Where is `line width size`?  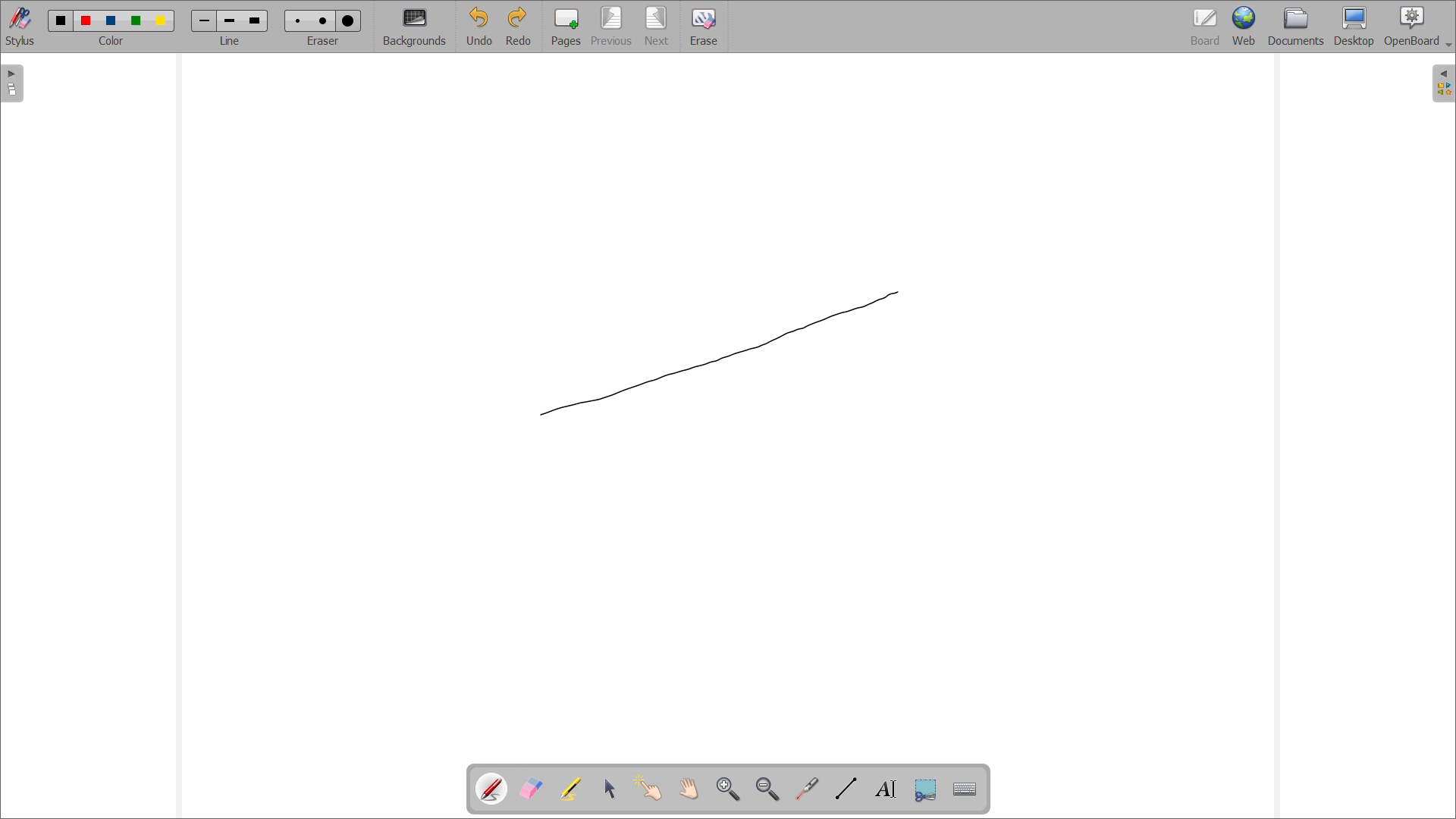 line width size is located at coordinates (255, 20).